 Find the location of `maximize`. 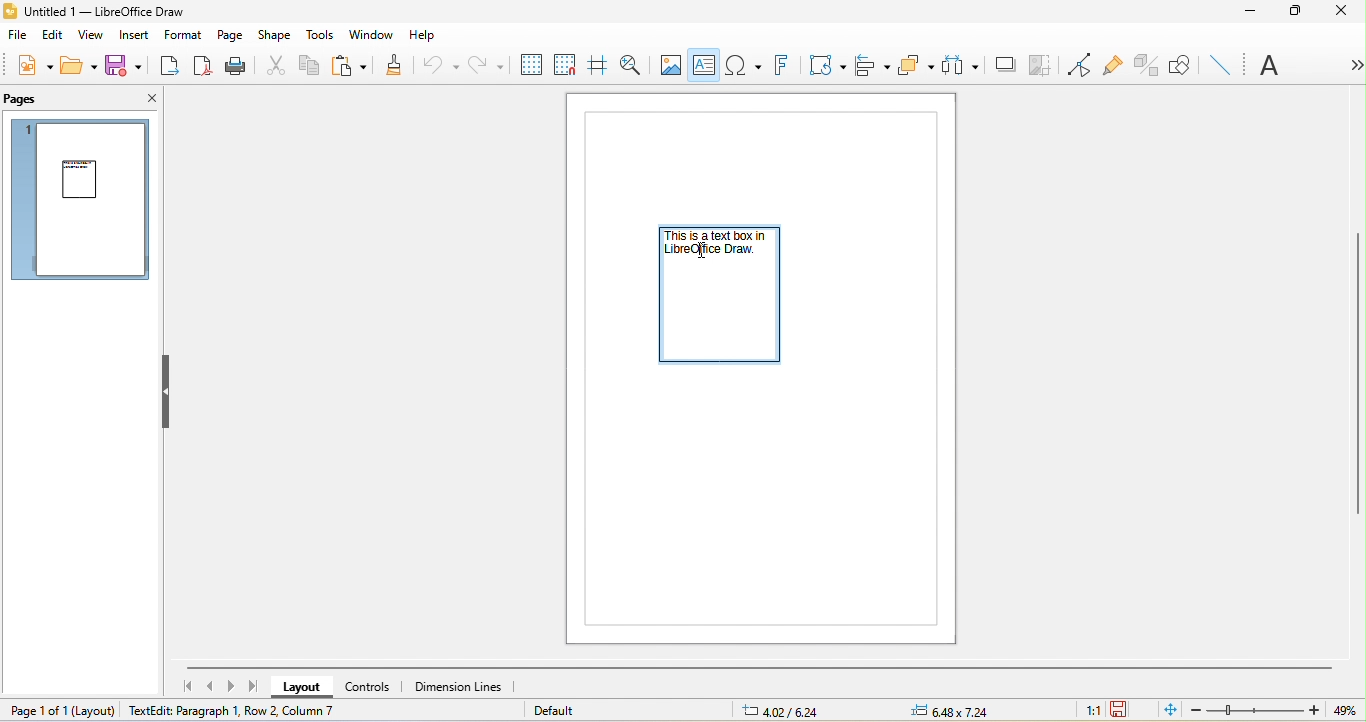

maximize is located at coordinates (1298, 12).